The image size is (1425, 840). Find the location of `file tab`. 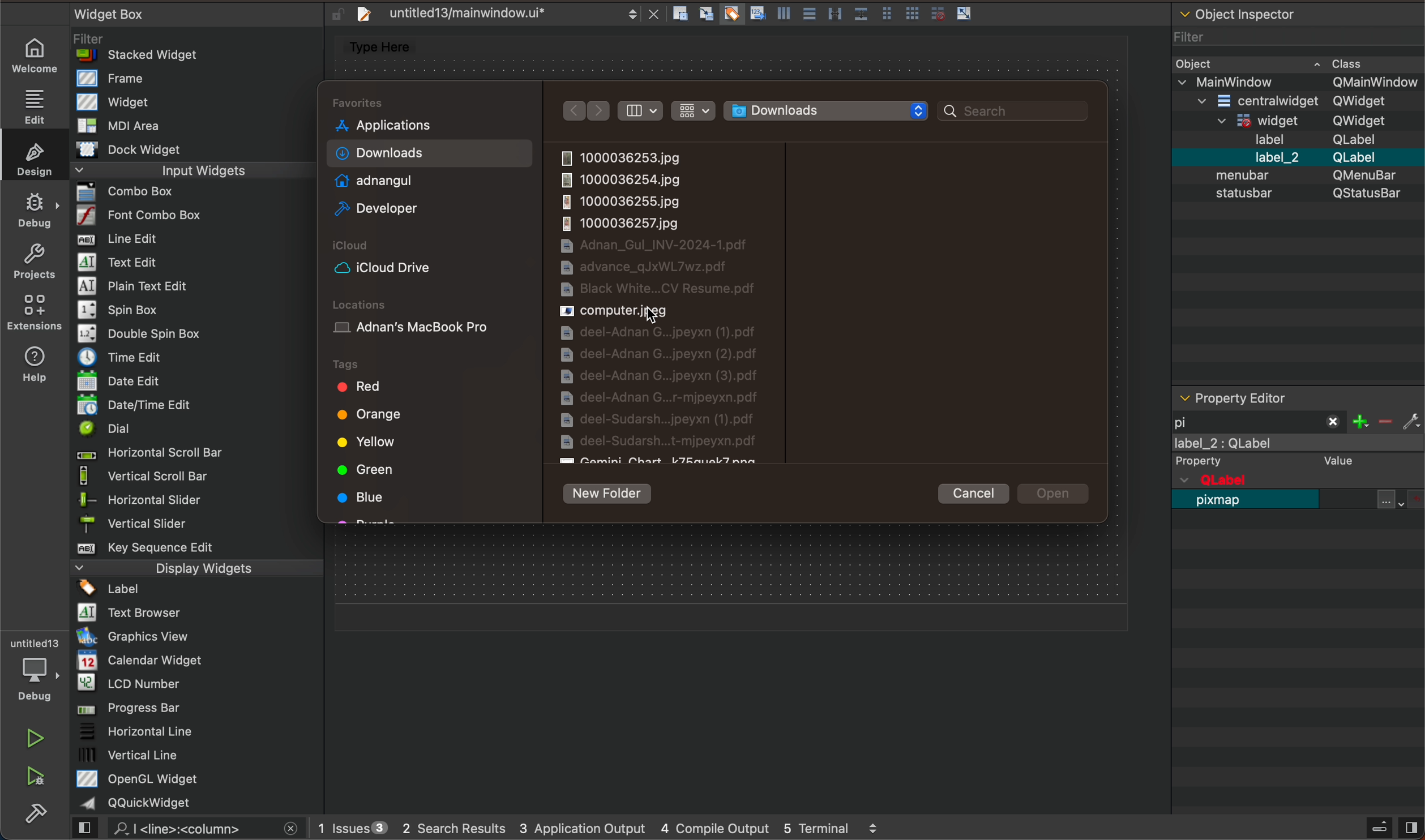

file tab is located at coordinates (503, 16).